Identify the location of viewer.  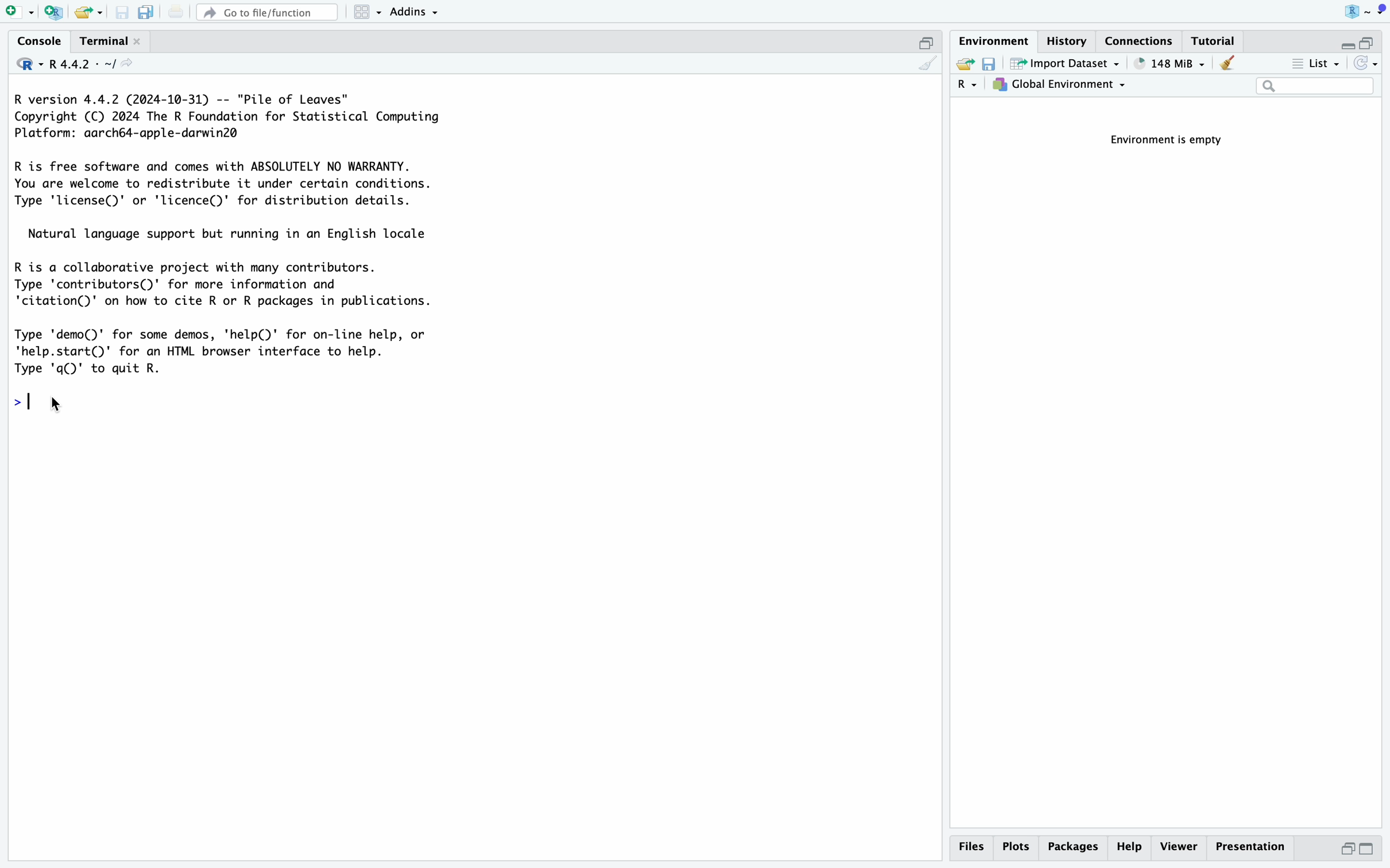
(1178, 847).